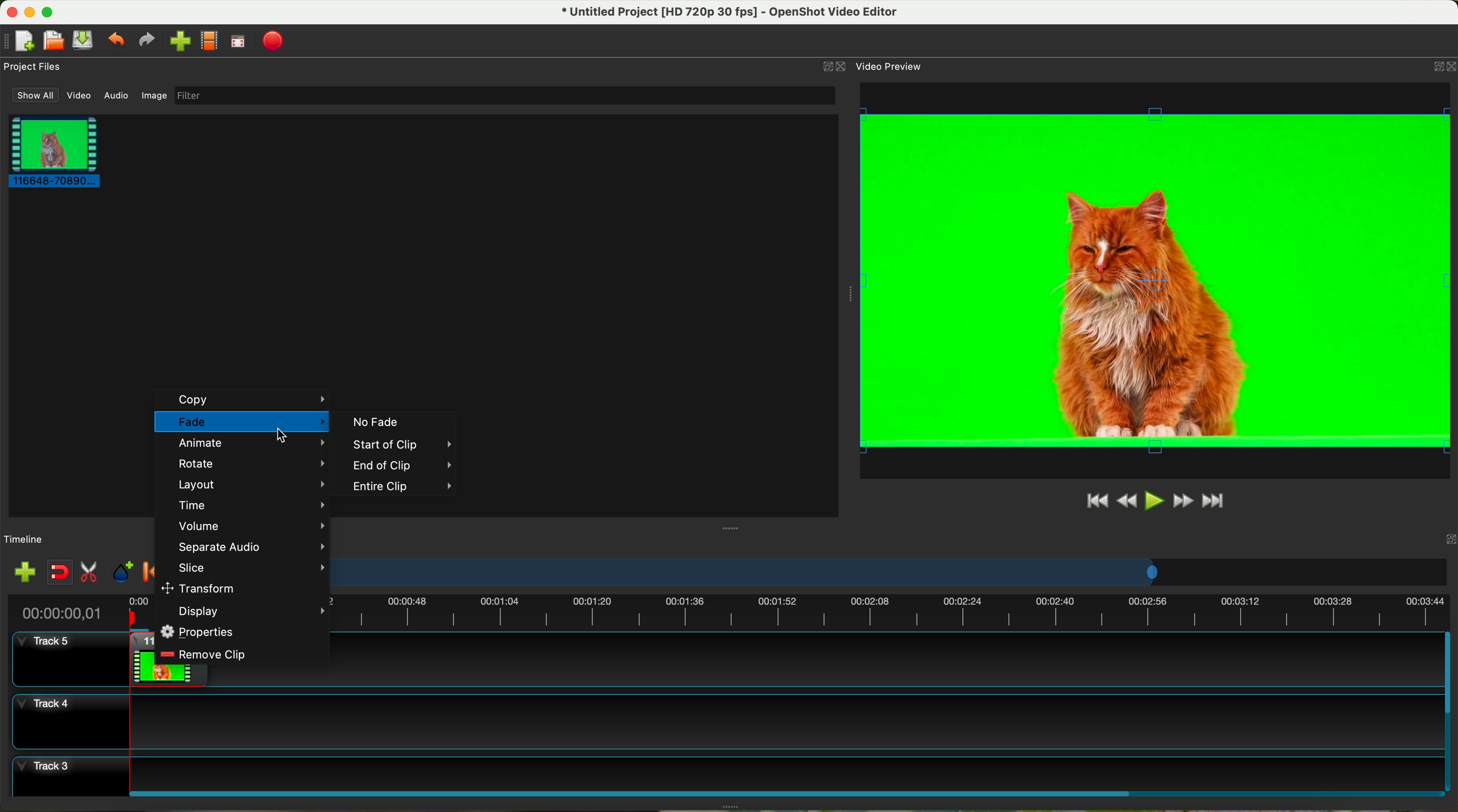 This screenshot has height=812, width=1458. What do you see at coordinates (89, 573) in the screenshot?
I see `enable razor` at bounding box center [89, 573].